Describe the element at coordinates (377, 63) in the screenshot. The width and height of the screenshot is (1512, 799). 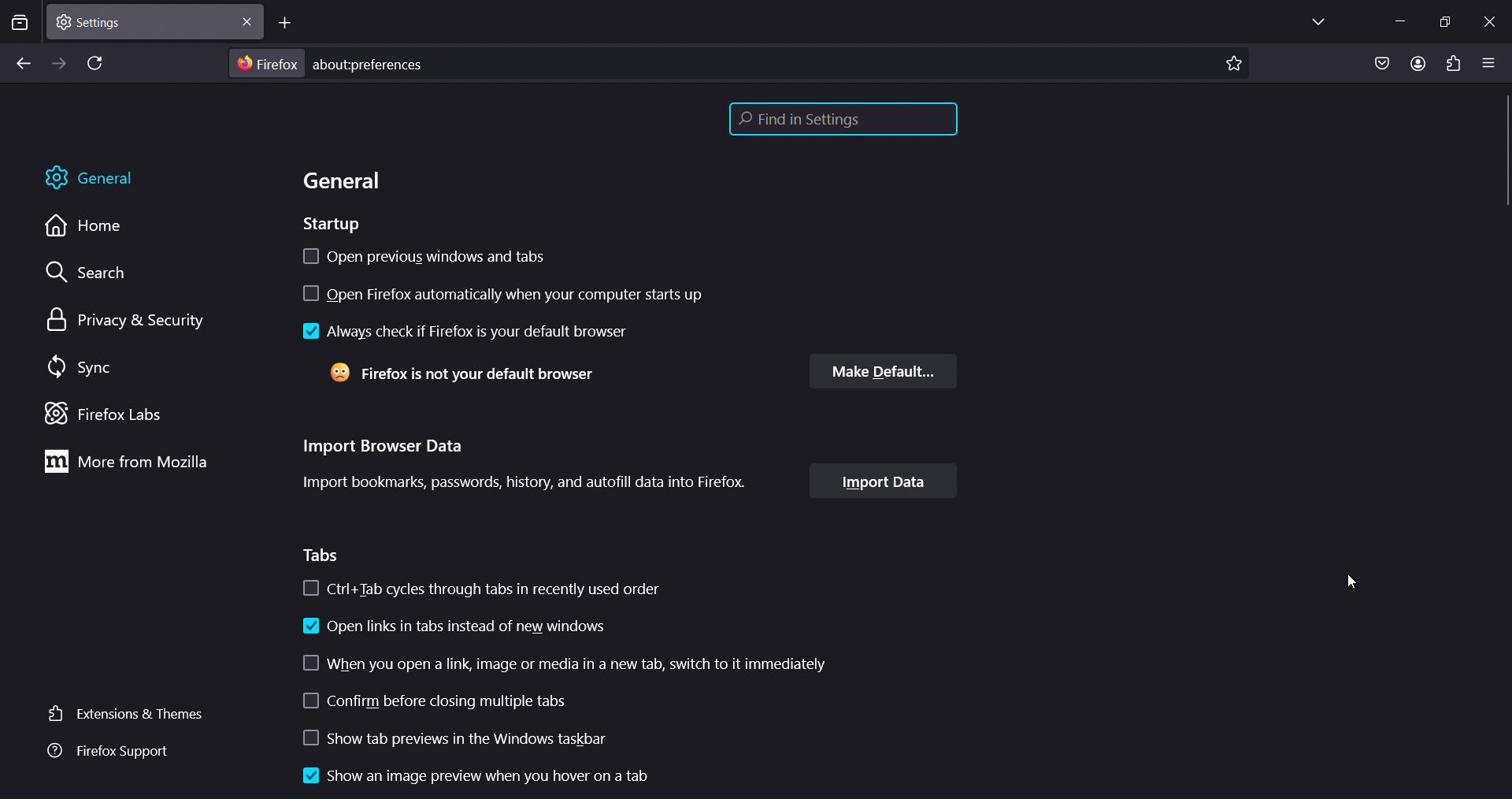
I see `about:preferences` at that location.